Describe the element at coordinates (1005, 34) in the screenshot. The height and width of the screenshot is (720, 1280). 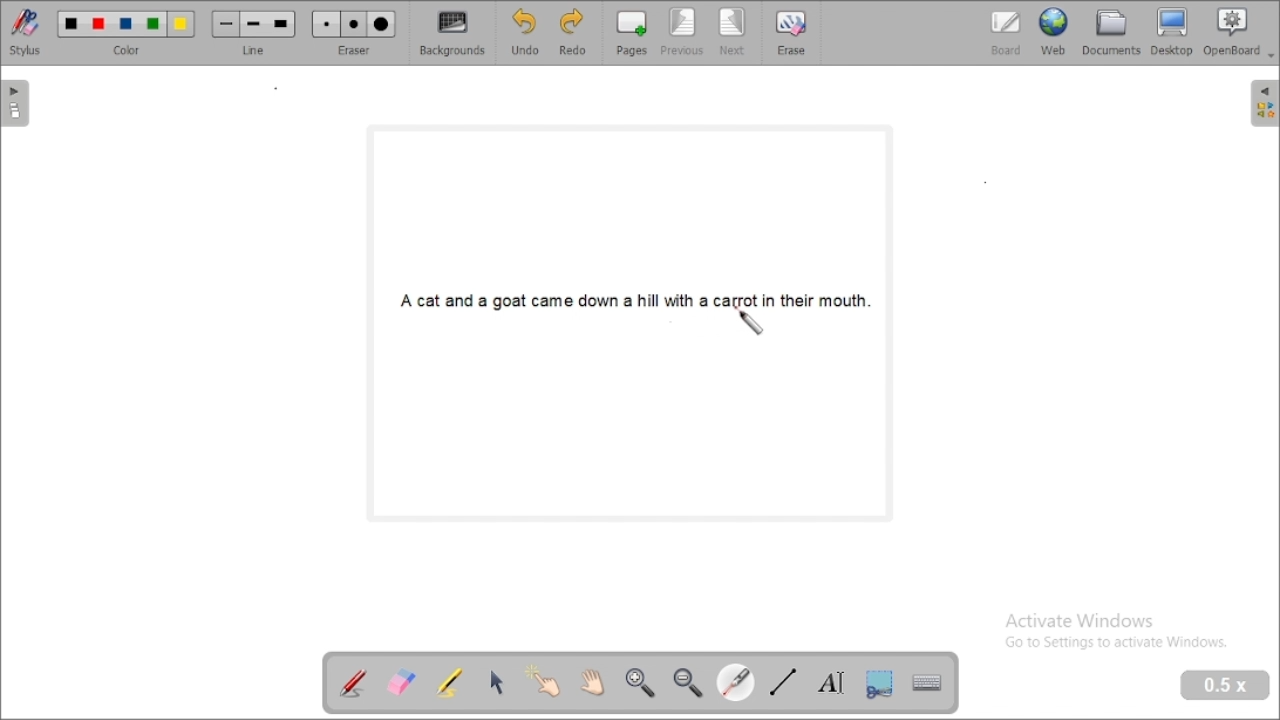
I see `board` at that location.